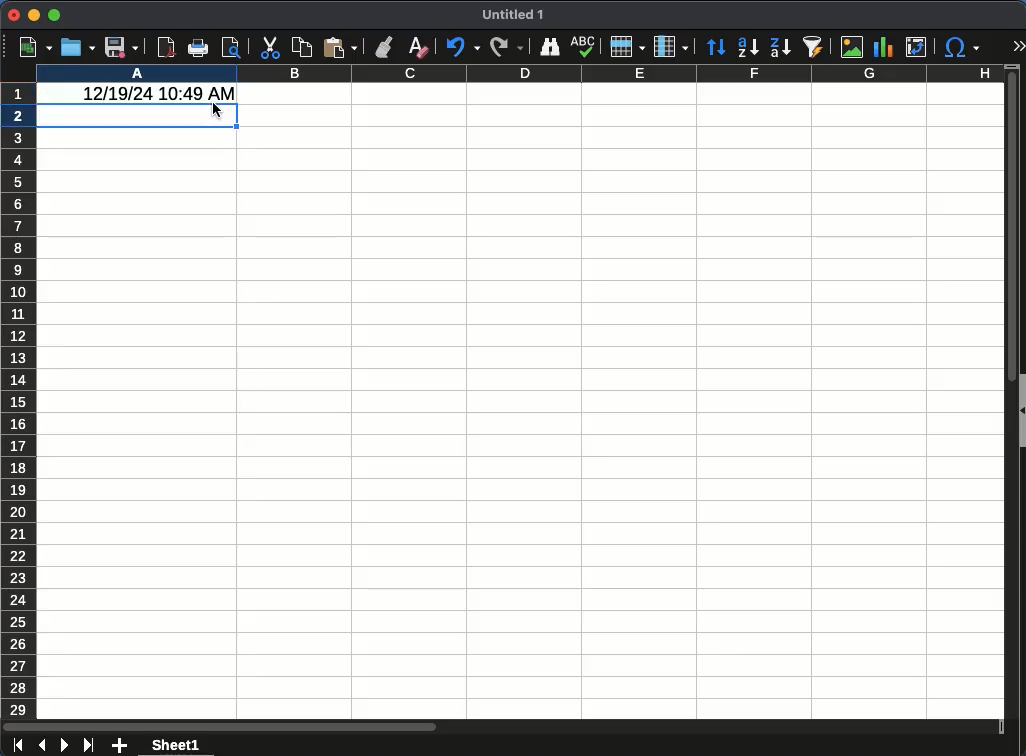 This screenshot has height=756, width=1026. What do you see at coordinates (55, 17) in the screenshot?
I see `maximize` at bounding box center [55, 17].